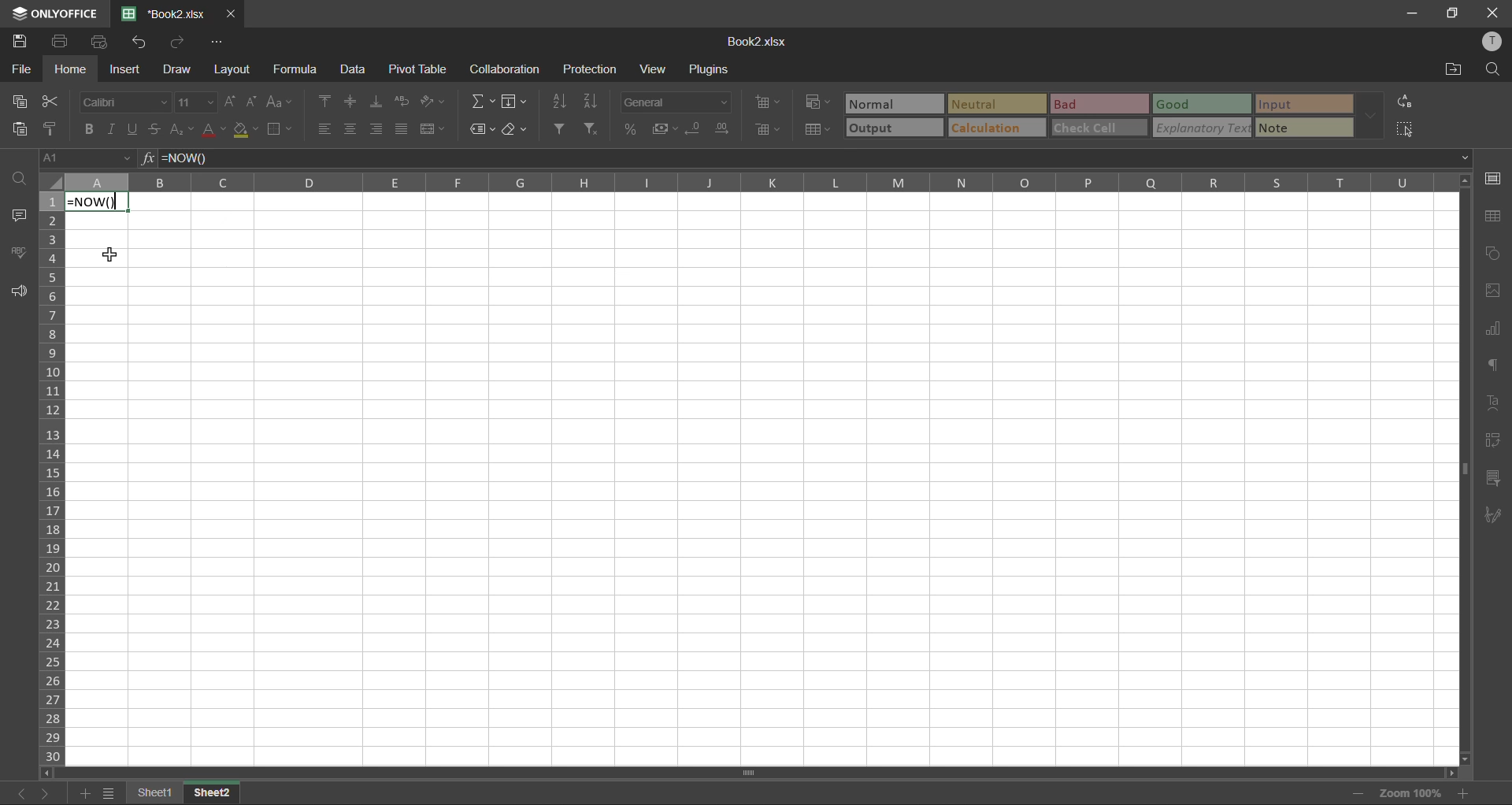 The width and height of the screenshot is (1512, 805). I want to click on redo, so click(178, 43).